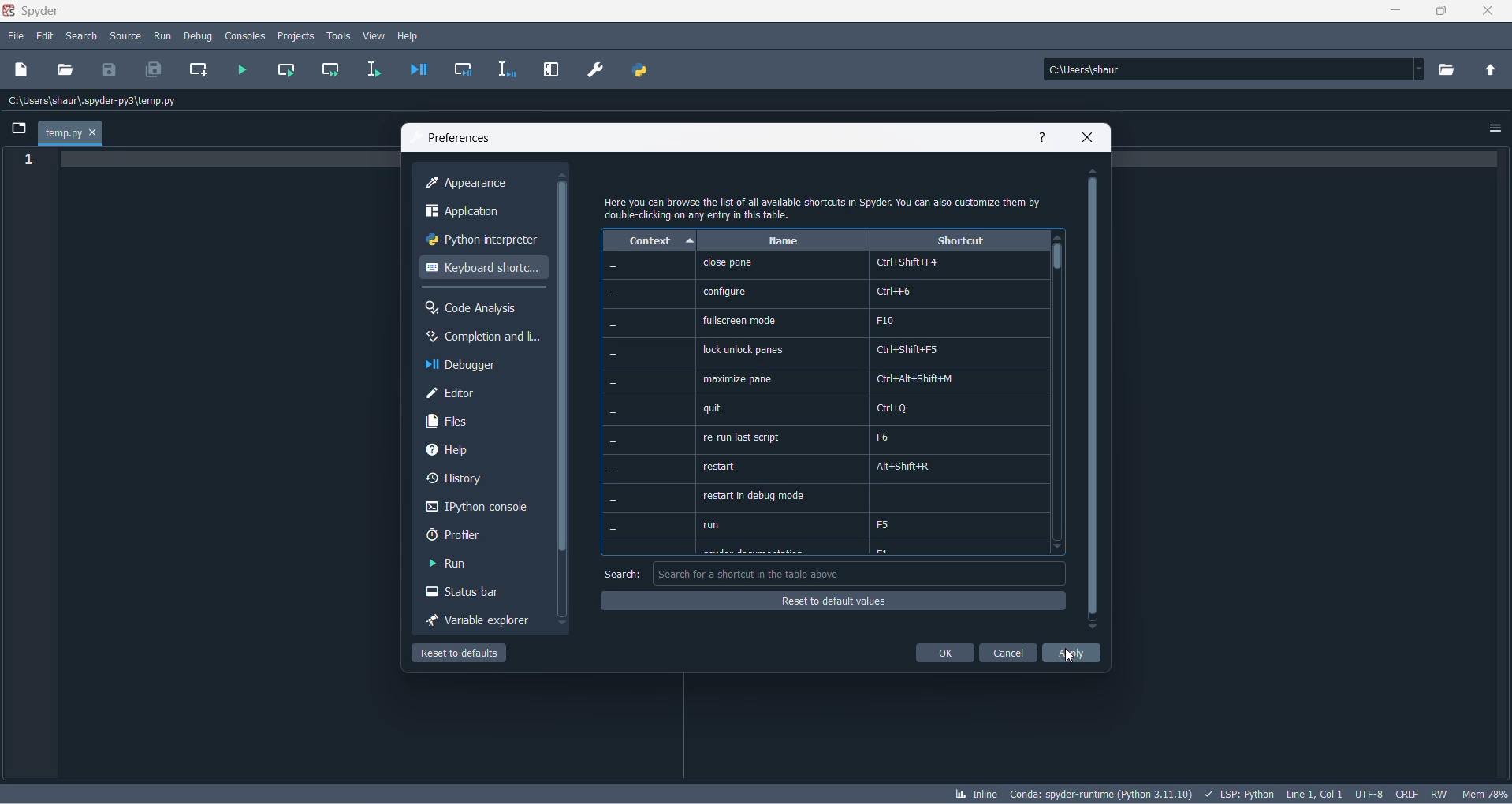 Image resolution: width=1512 pixels, height=804 pixels. Describe the element at coordinates (740, 321) in the screenshot. I see `fullscreen mode` at that location.